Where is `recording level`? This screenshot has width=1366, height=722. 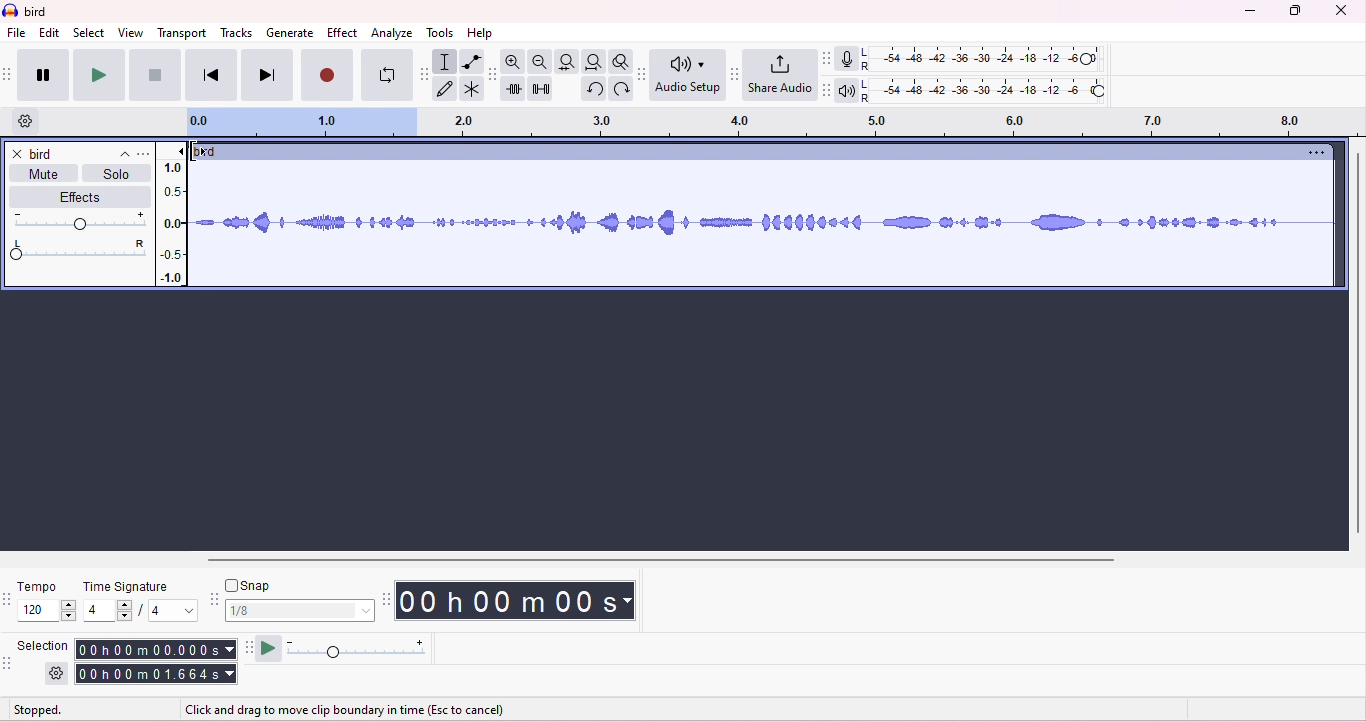
recording level is located at coordinates (983, 59).